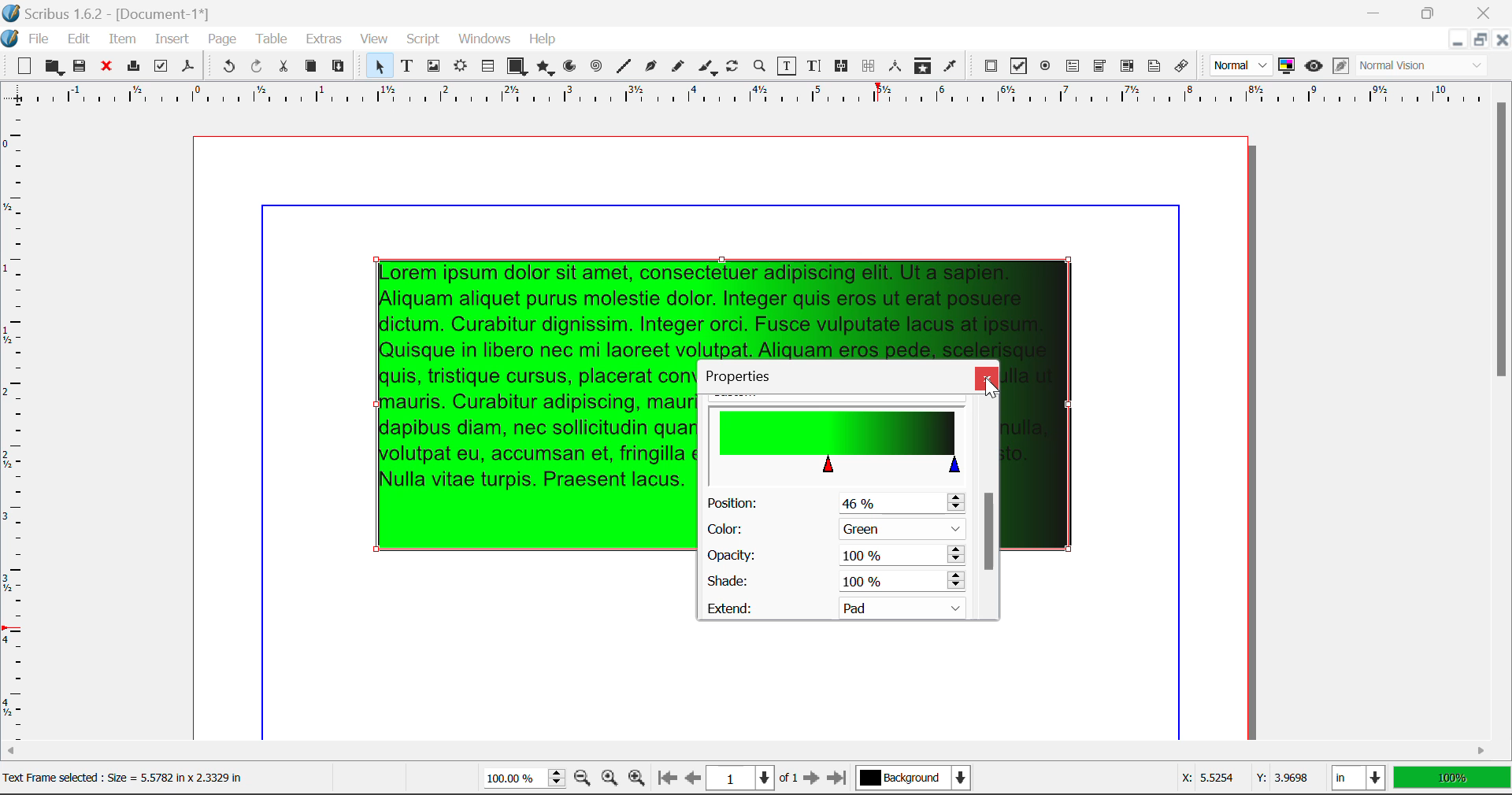  What do you see at coordinates (665, 779) in the screenshot?
I see `First Page` at bounding box center [665, 779].